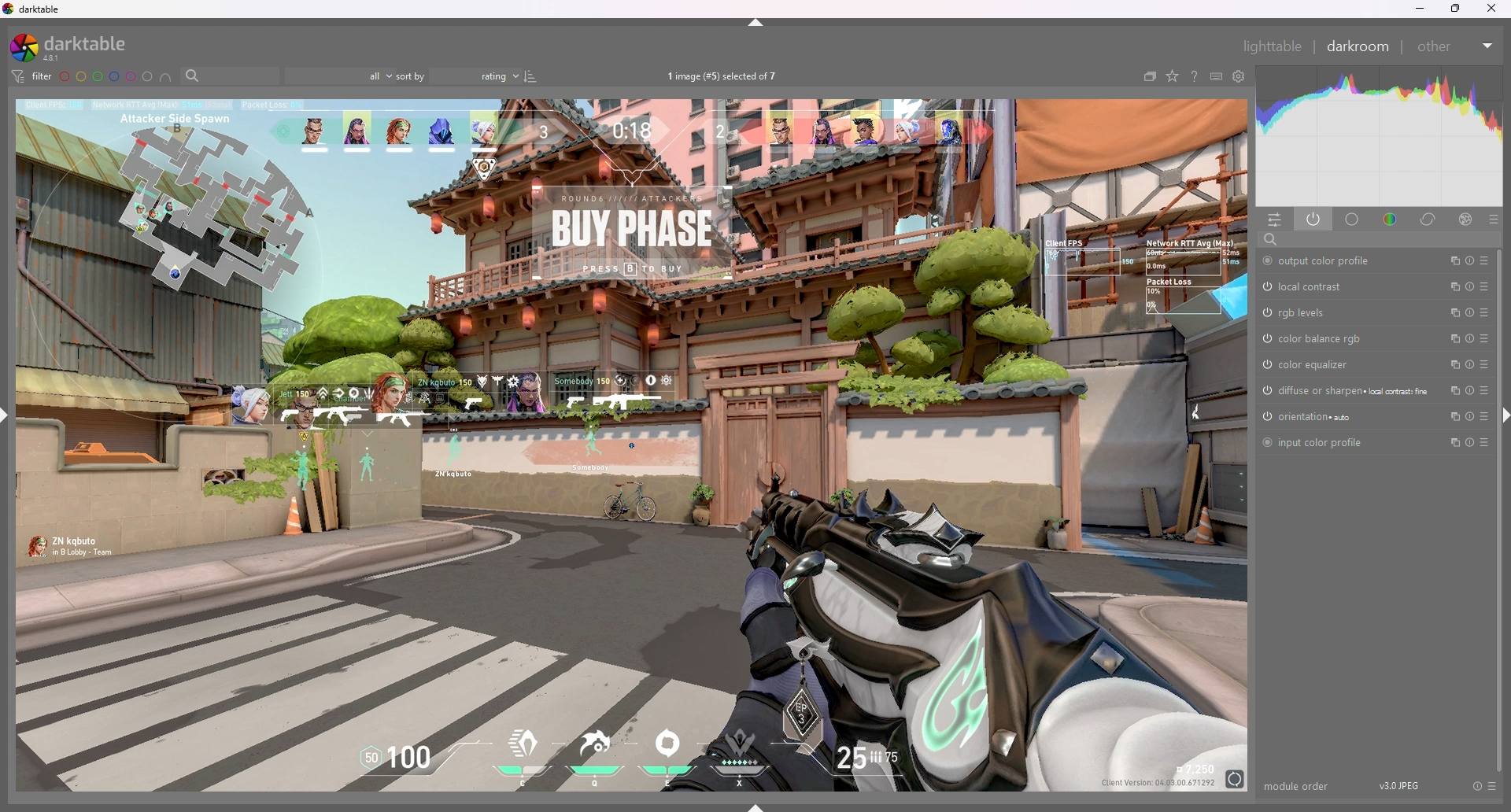 This screenshot has height=812, width=1511. I want to click on filter by text, so click(229, 76).